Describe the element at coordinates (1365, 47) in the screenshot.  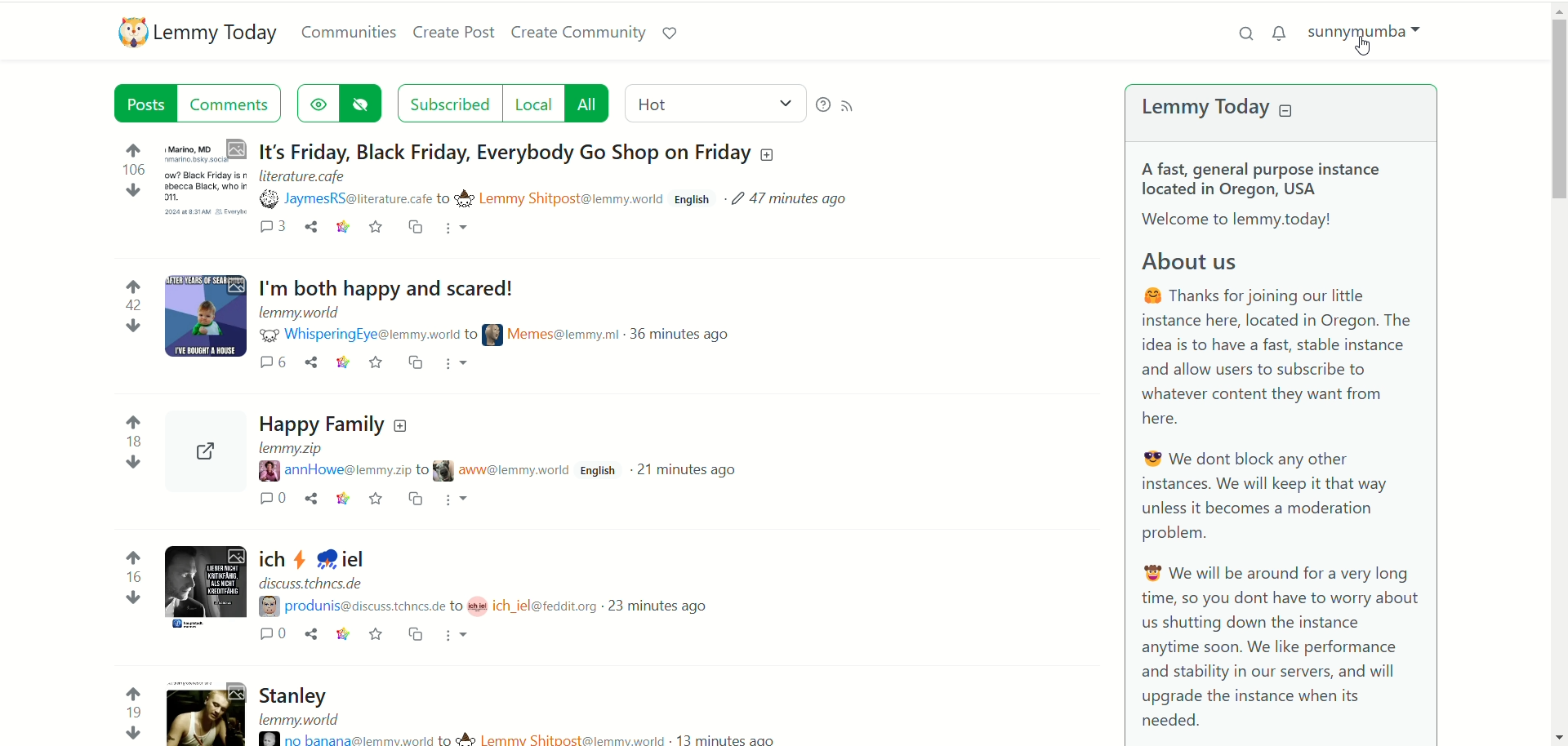
I see `cursor` at that location.